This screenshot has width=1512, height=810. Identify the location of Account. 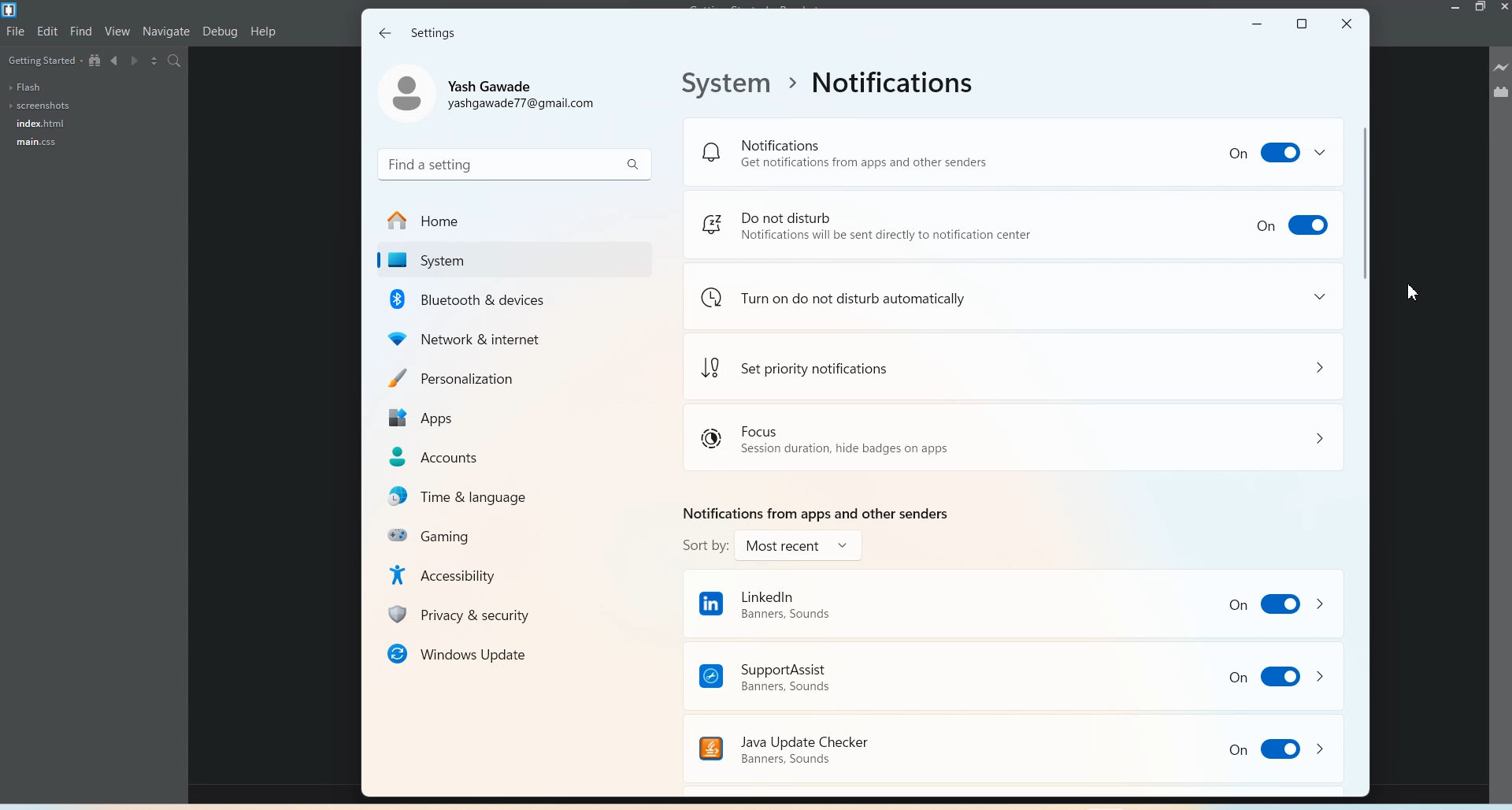
(492, 95).